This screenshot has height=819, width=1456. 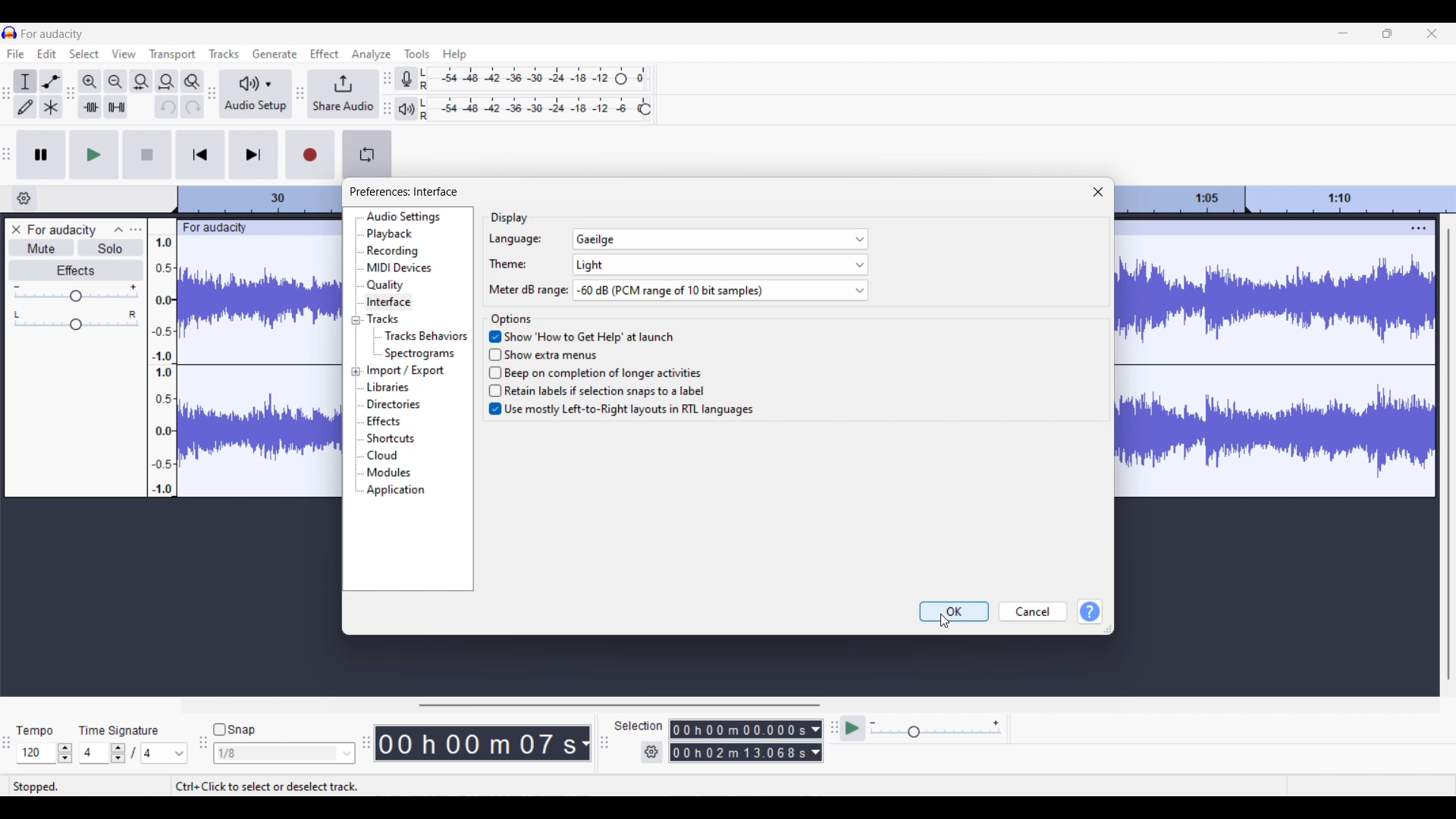 What do you see at coordinates (124, 53) in the screenshot?
I see `View menu` at bounding box center [124, 53].